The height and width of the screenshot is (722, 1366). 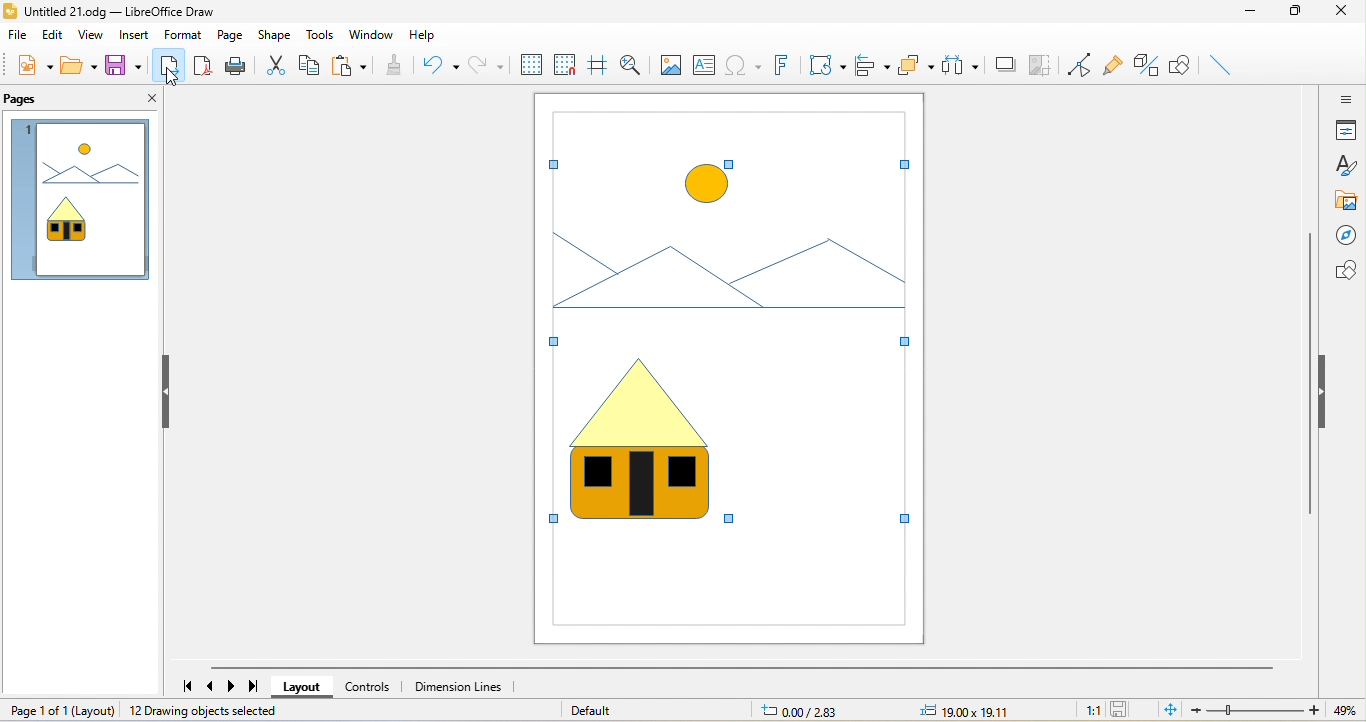 I want to click on zoom and pan, so click(x=632, y=63).